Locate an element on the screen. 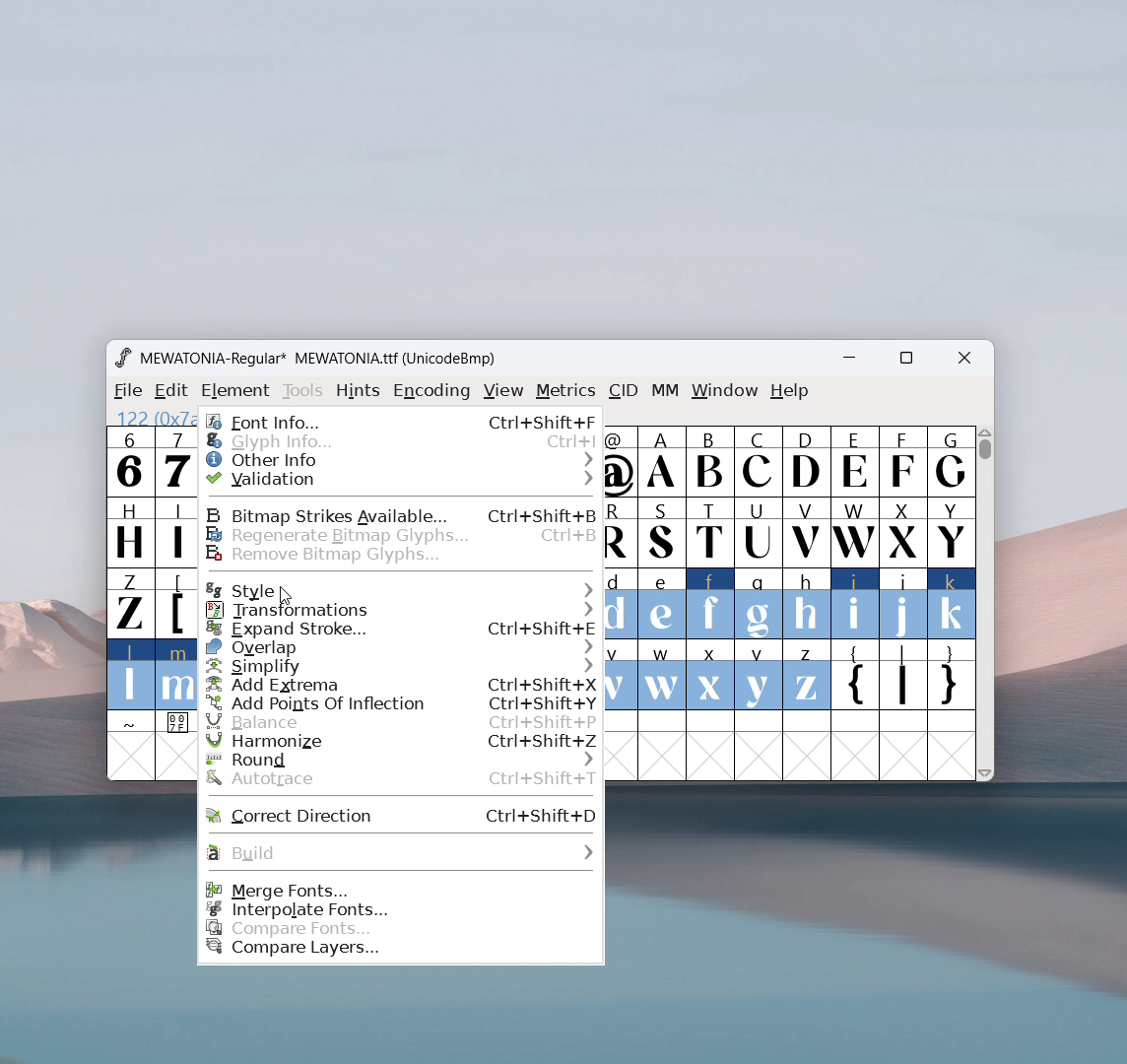 This screenshot has height=1064, width=1127. R is located at coordinates (622, 534).